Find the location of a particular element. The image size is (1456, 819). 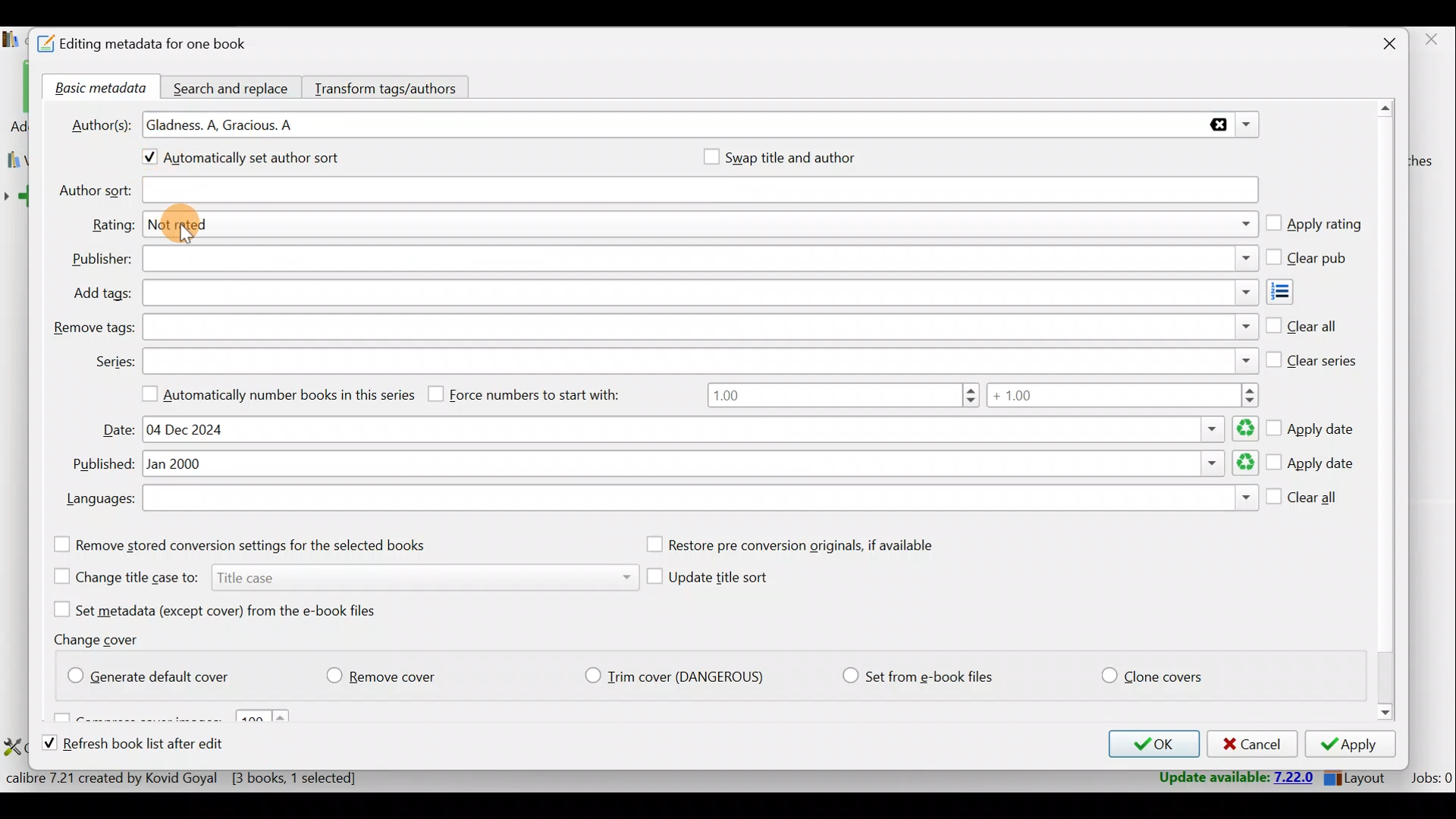

Restore pre conversion originals, if available is located at coordinates (806, 545).